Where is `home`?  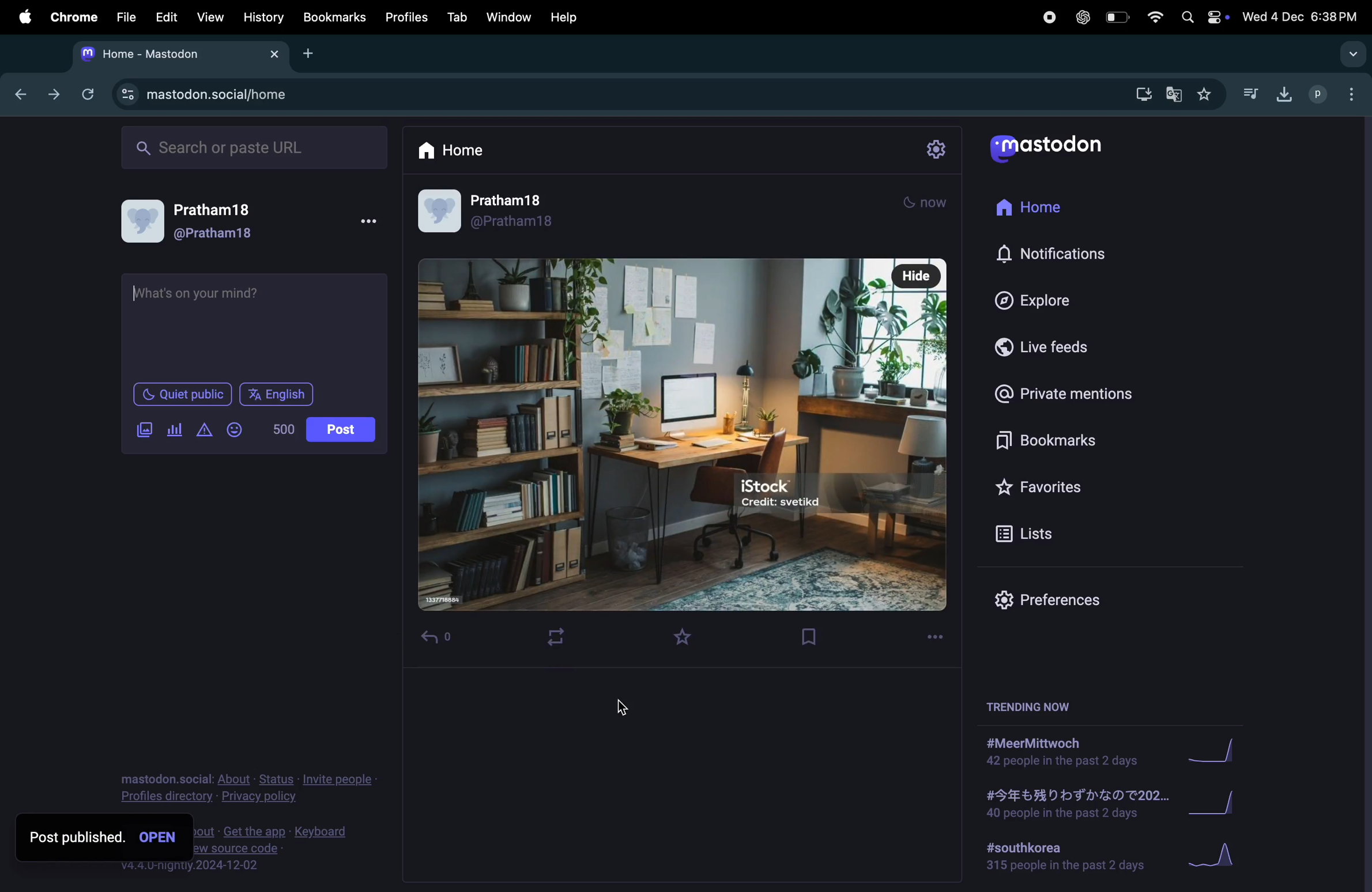
home is located at coordinates (462, 152).